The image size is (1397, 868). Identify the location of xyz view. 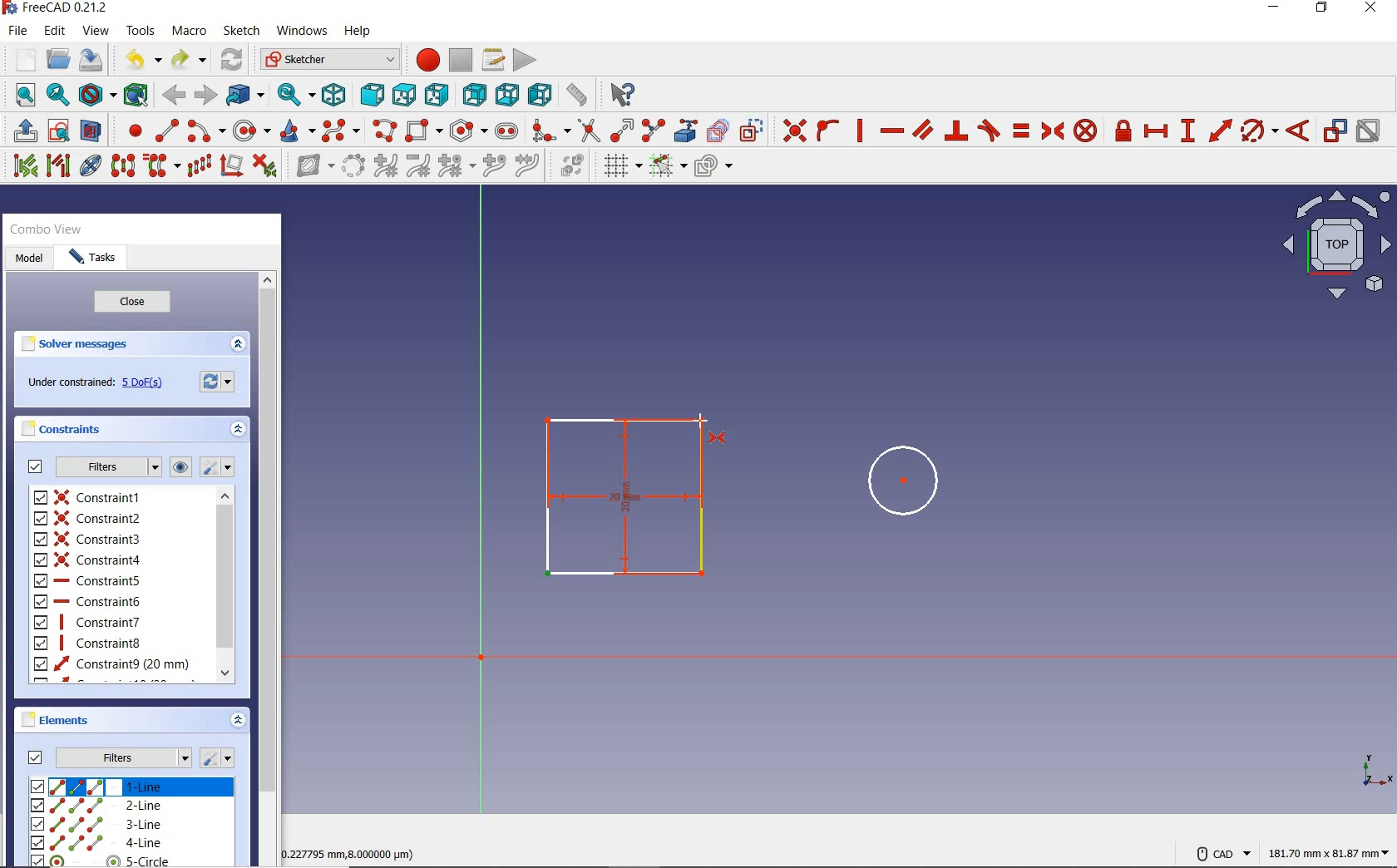
(1375, 772).